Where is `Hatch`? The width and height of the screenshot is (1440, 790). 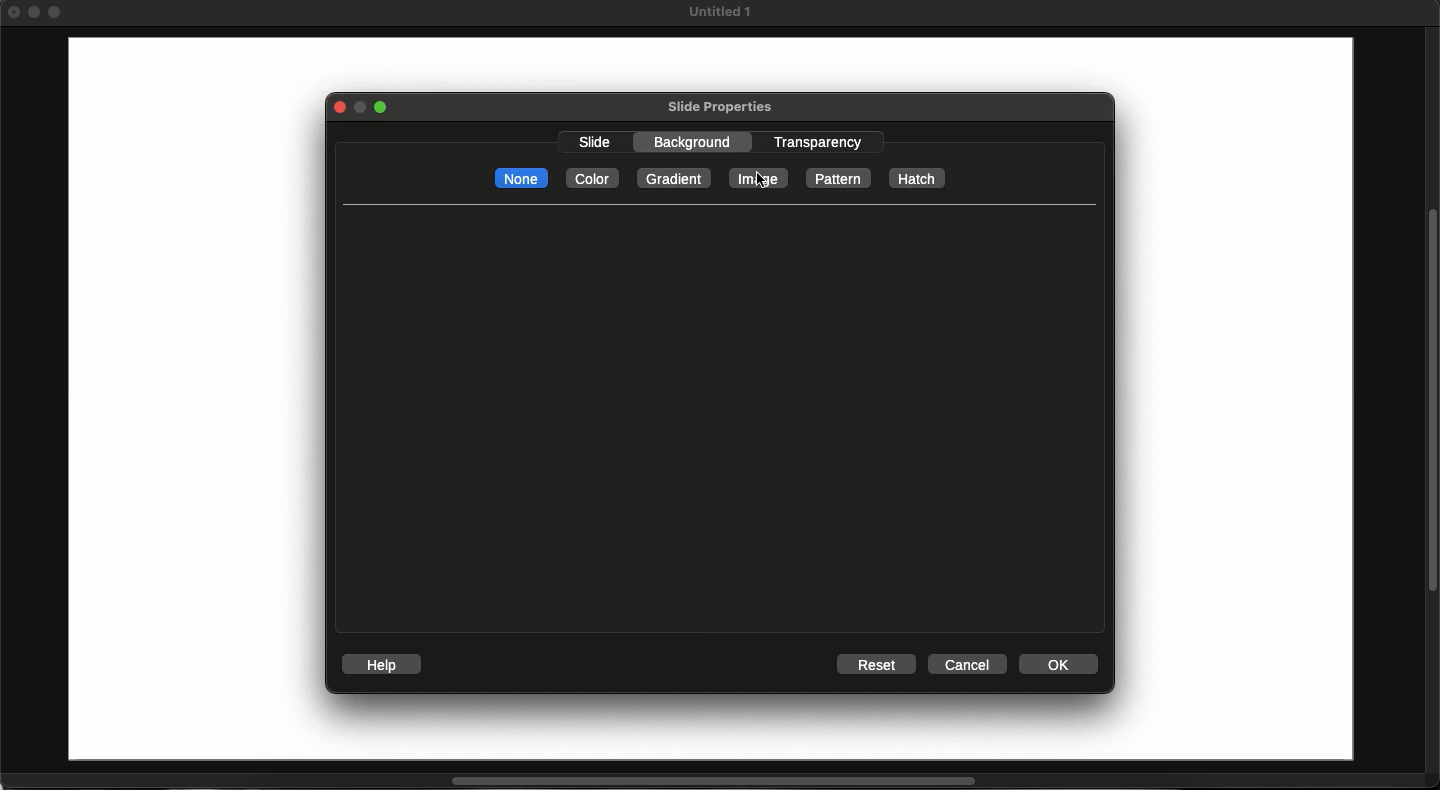 Hatch is located at coordinates (917, 178).